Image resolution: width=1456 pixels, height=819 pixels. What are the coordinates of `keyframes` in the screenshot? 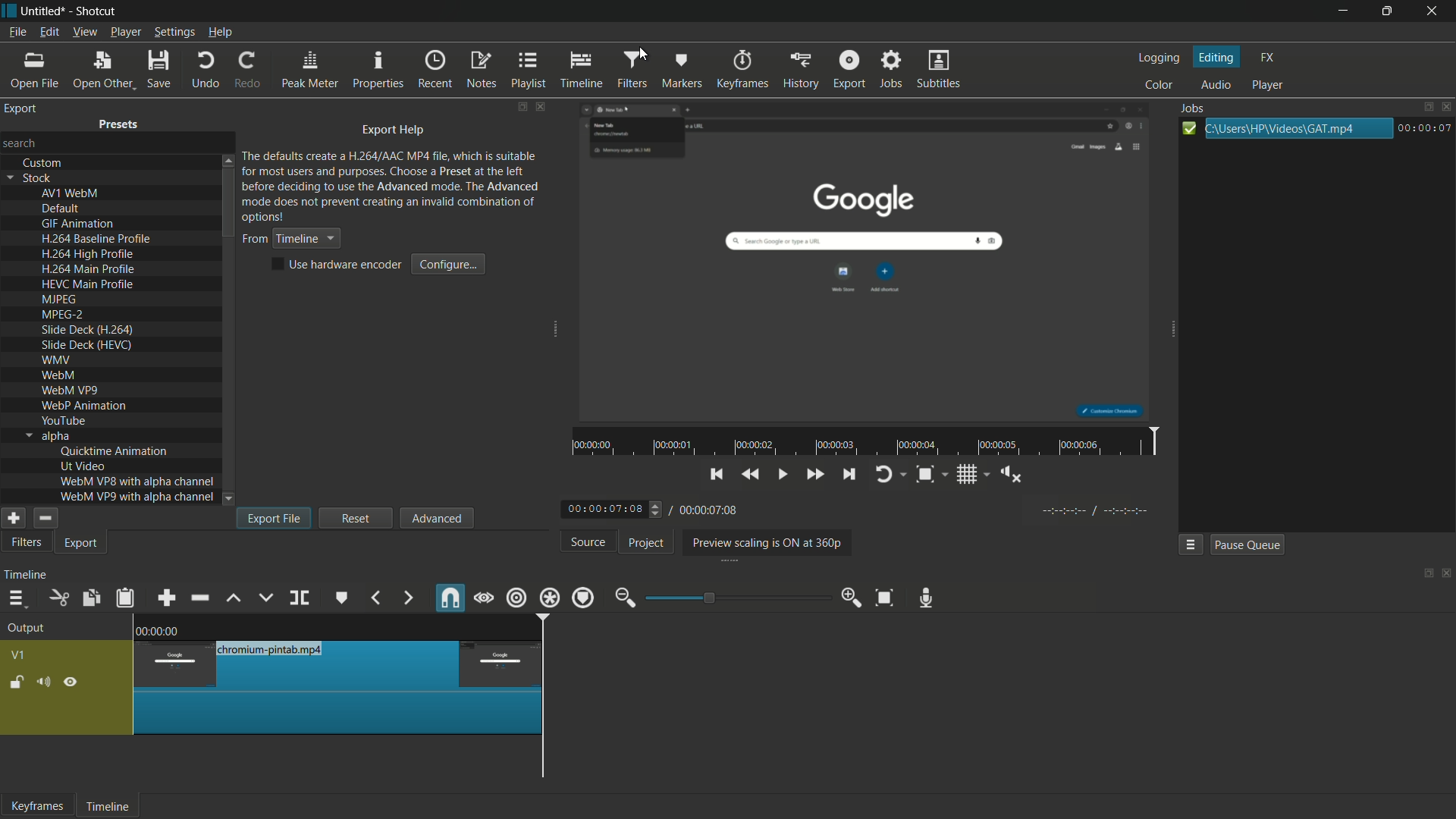 It's located at (745, 69).